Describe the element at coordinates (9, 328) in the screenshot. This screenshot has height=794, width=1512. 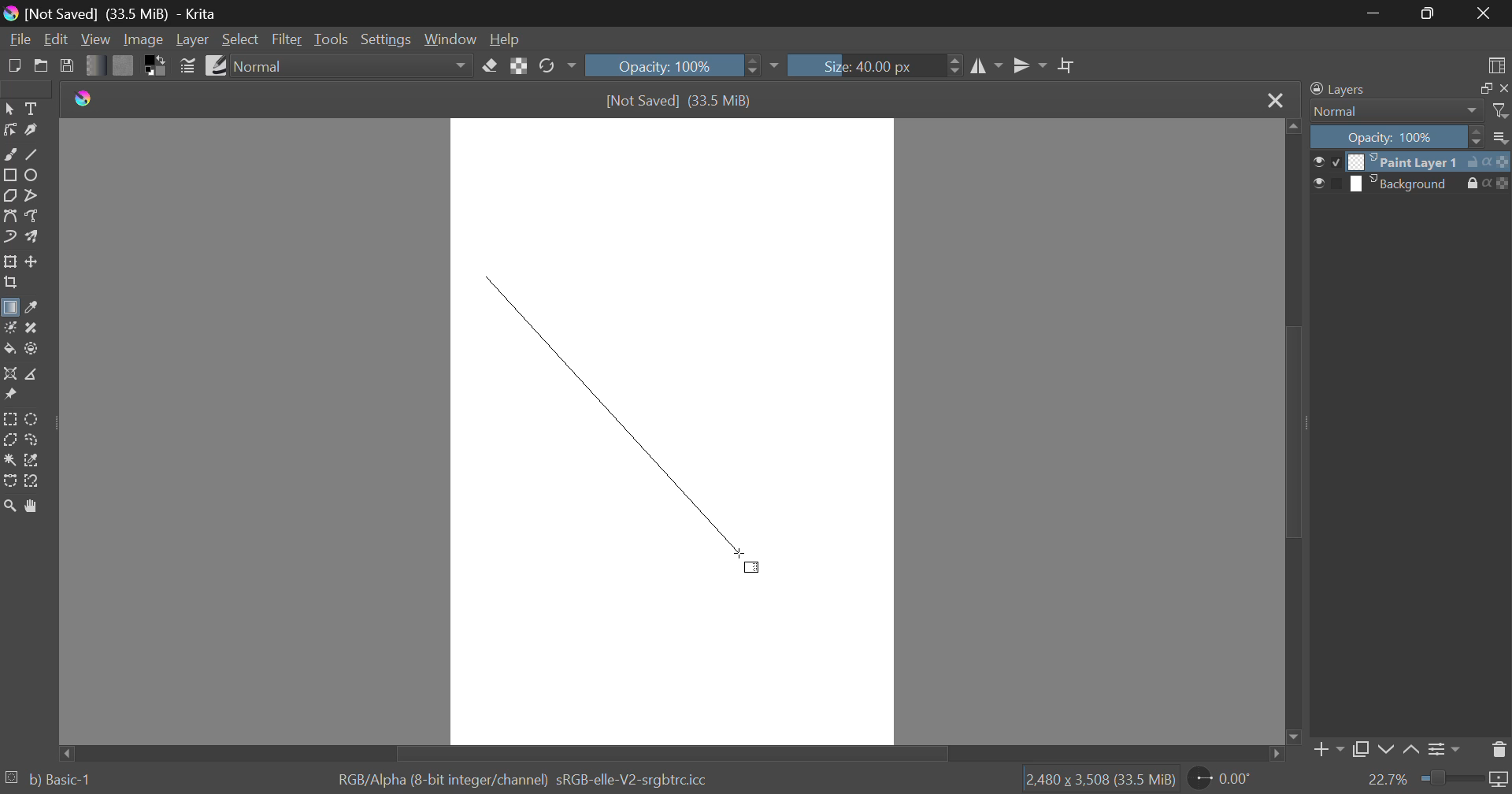
I see `Colorize Mask Tool` at that location.